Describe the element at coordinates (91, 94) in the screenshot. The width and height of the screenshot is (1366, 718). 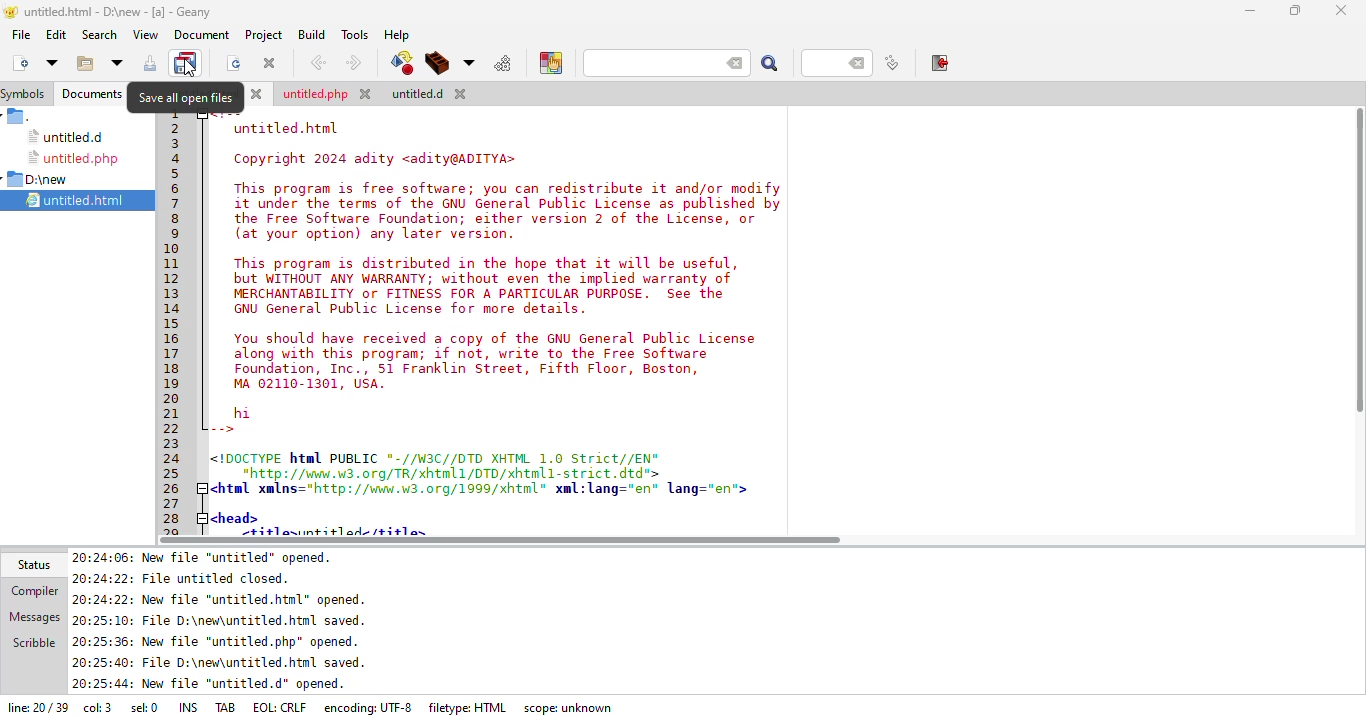
I see `documents` at that location.